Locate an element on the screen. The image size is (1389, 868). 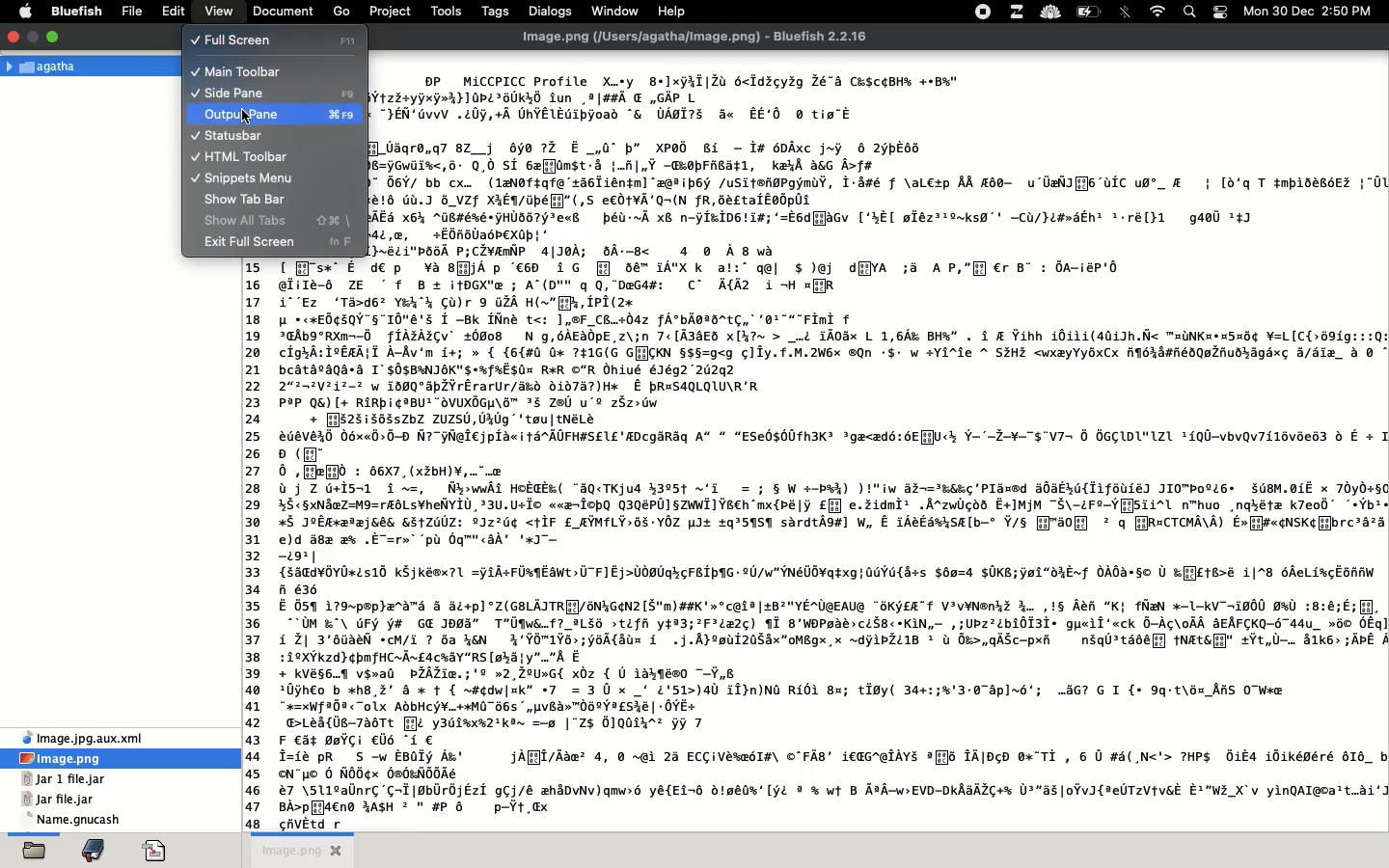
snippets menu is located at coordinates (252, 178).